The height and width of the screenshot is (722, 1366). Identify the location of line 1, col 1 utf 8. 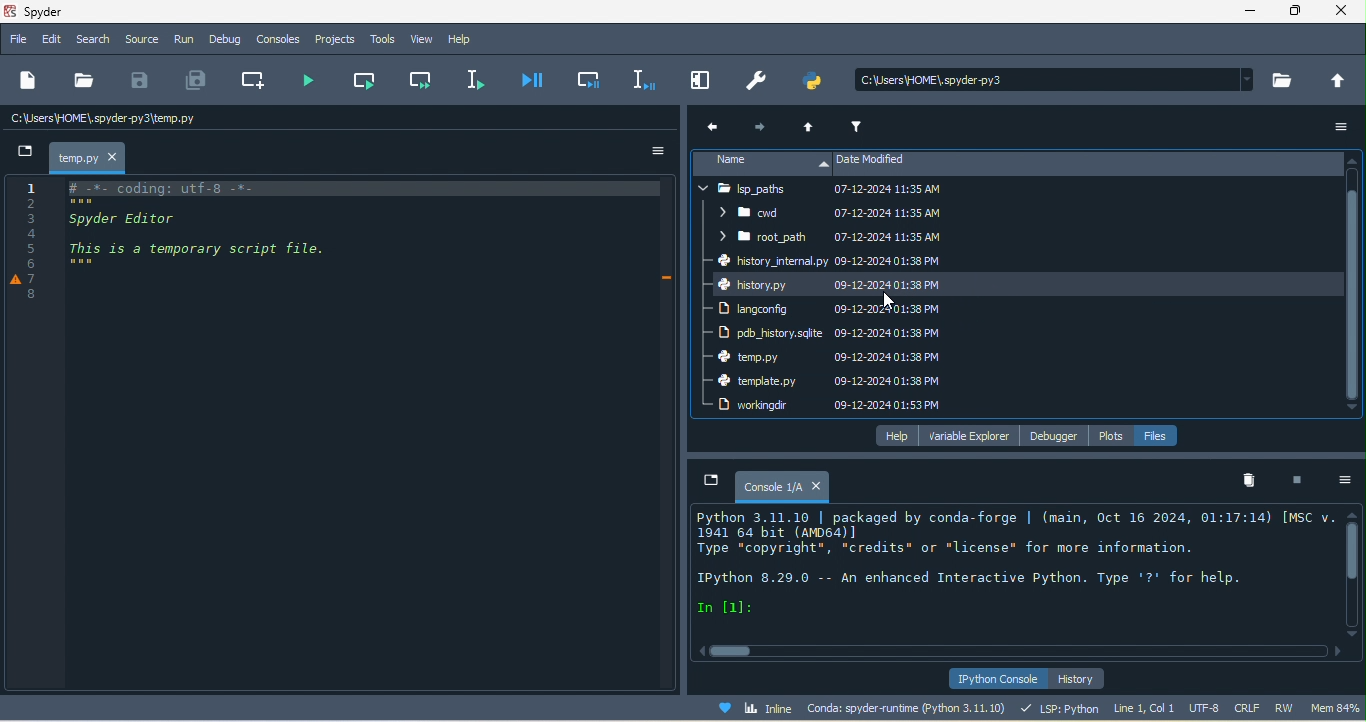
(1165, 706).